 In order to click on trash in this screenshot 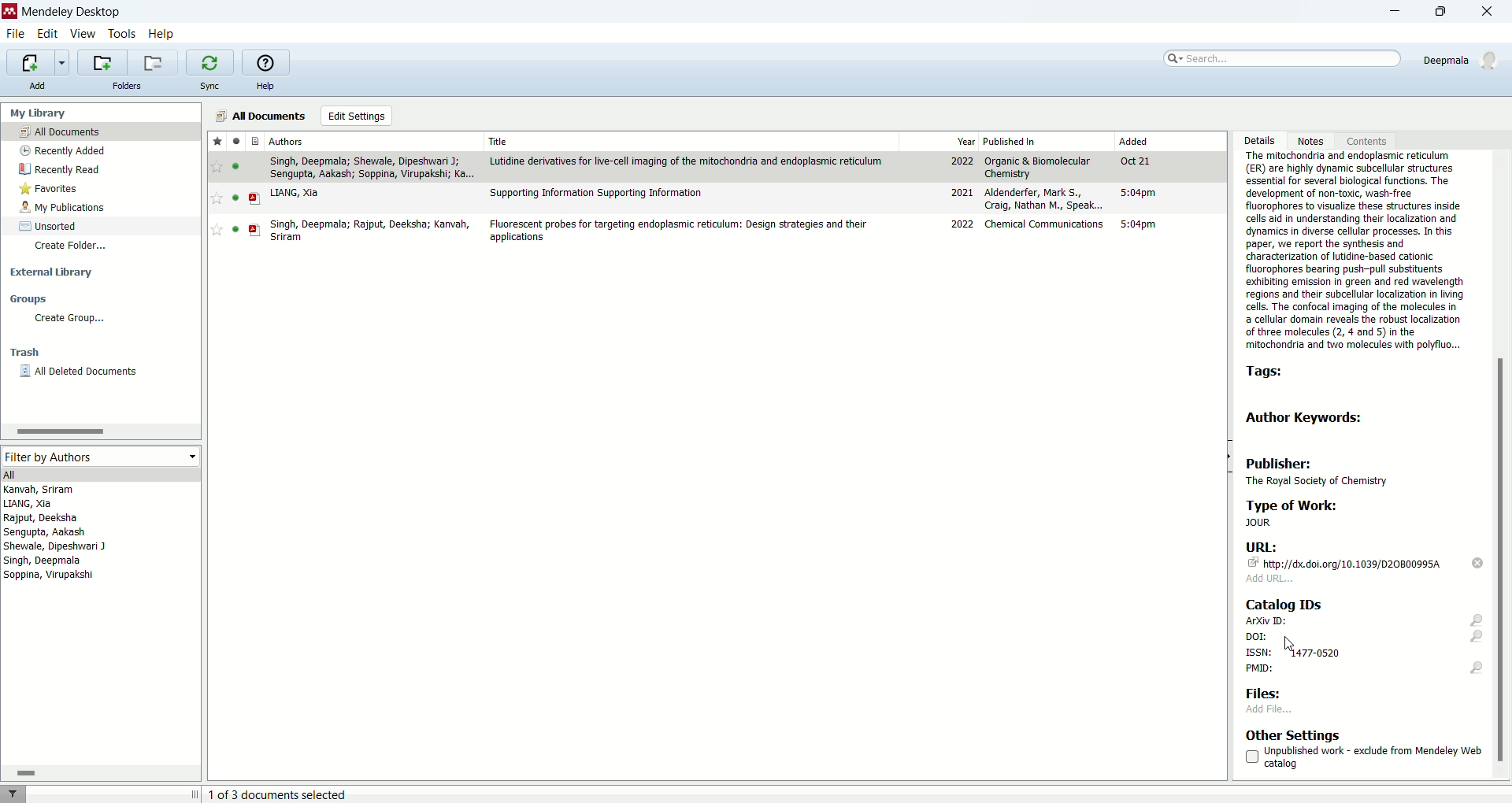, I will do `click(25, 353)`.